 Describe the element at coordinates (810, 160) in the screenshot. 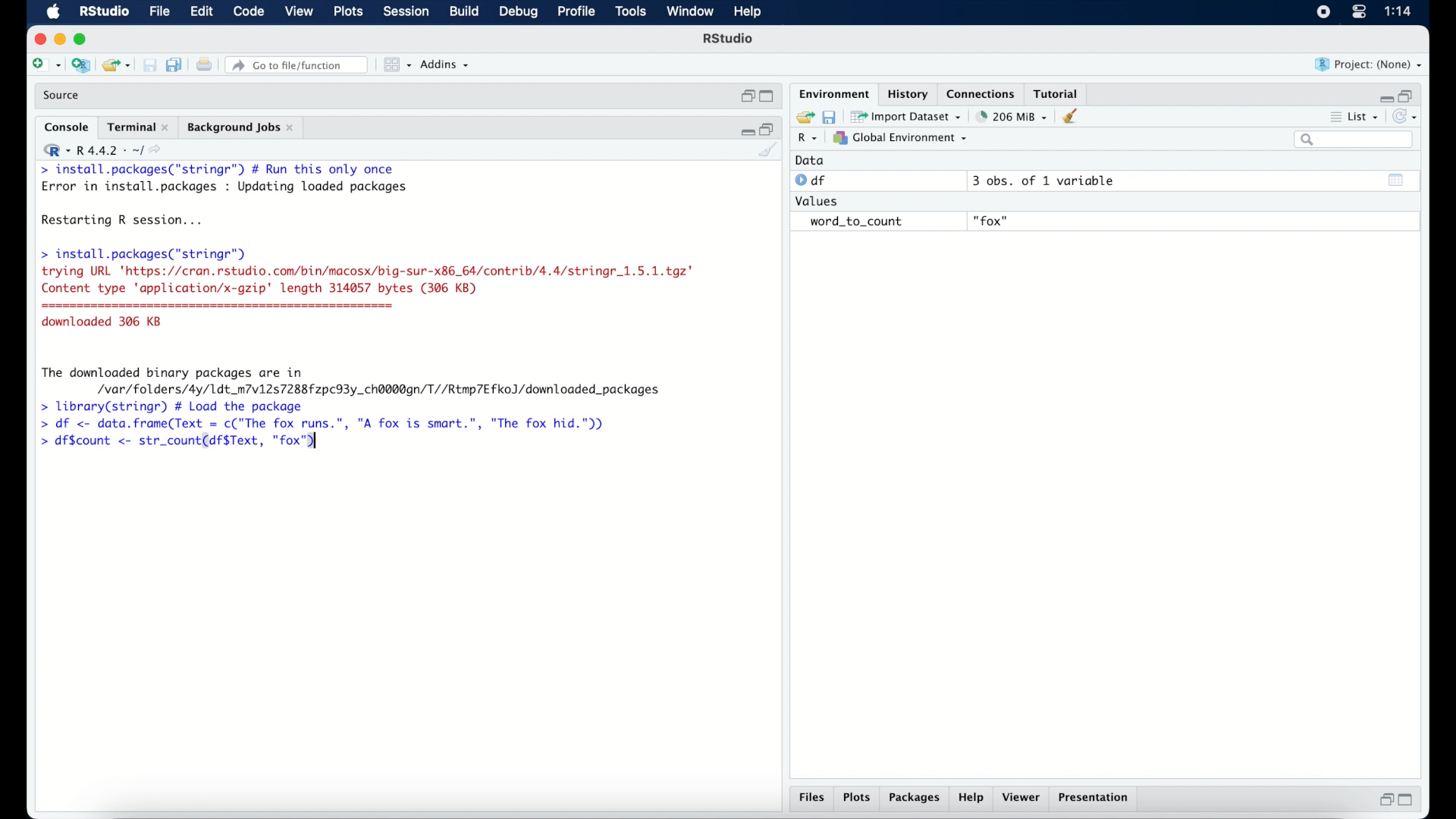

I see `data` at that location.